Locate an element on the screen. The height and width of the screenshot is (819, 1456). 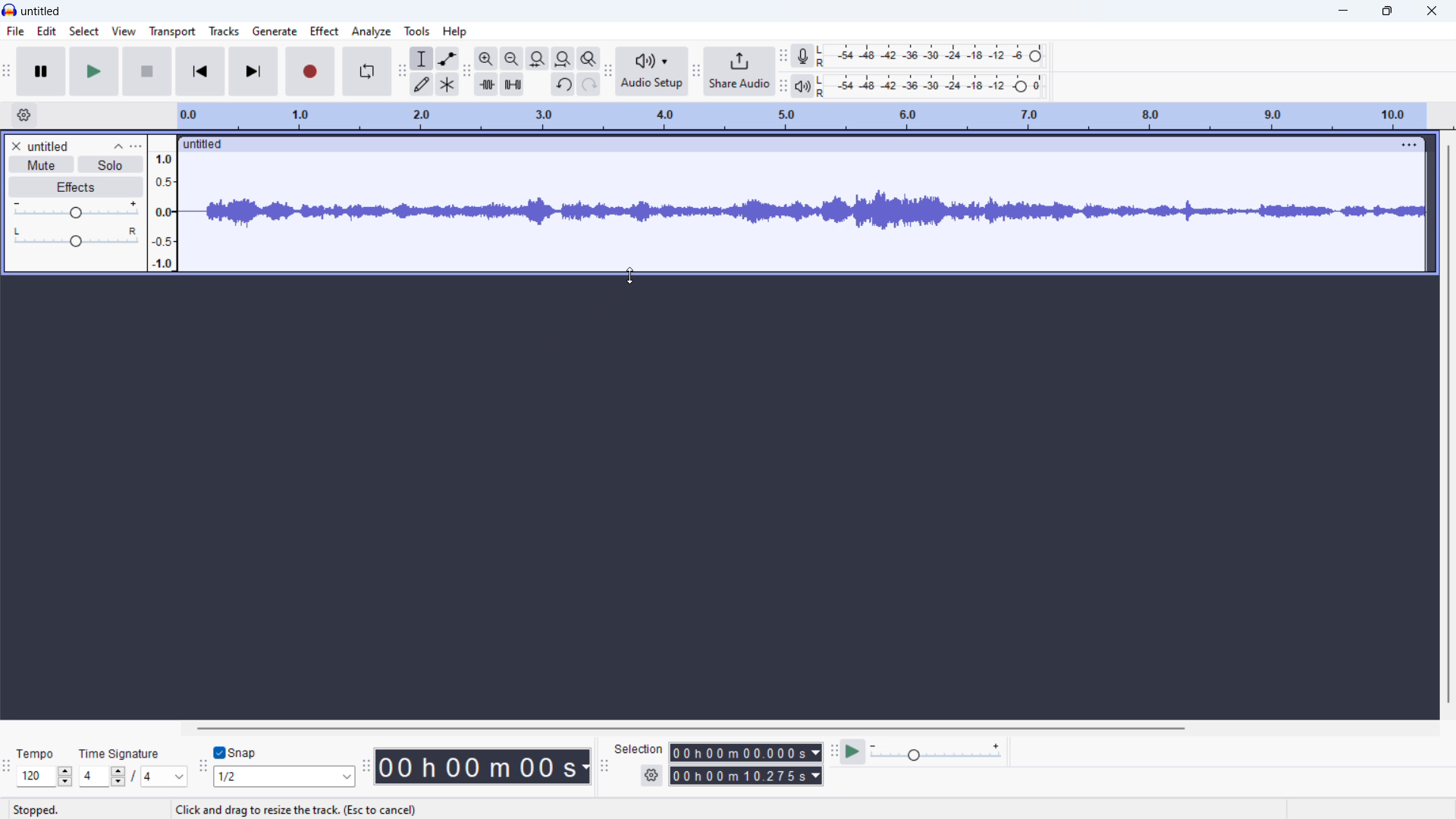
Time signature is located at coordinates (121, 752).